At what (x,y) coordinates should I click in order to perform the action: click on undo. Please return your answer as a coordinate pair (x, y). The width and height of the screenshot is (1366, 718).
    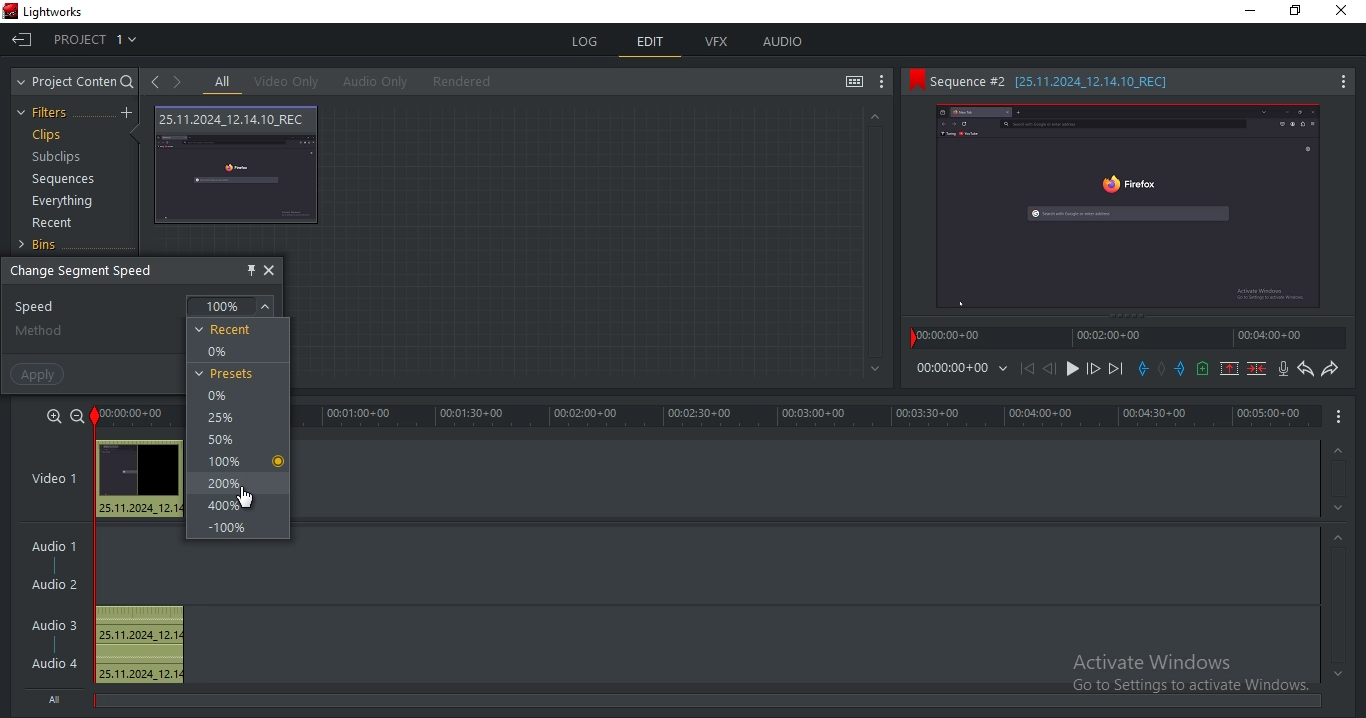
    Looking at the image, I should click on (1303, 369).